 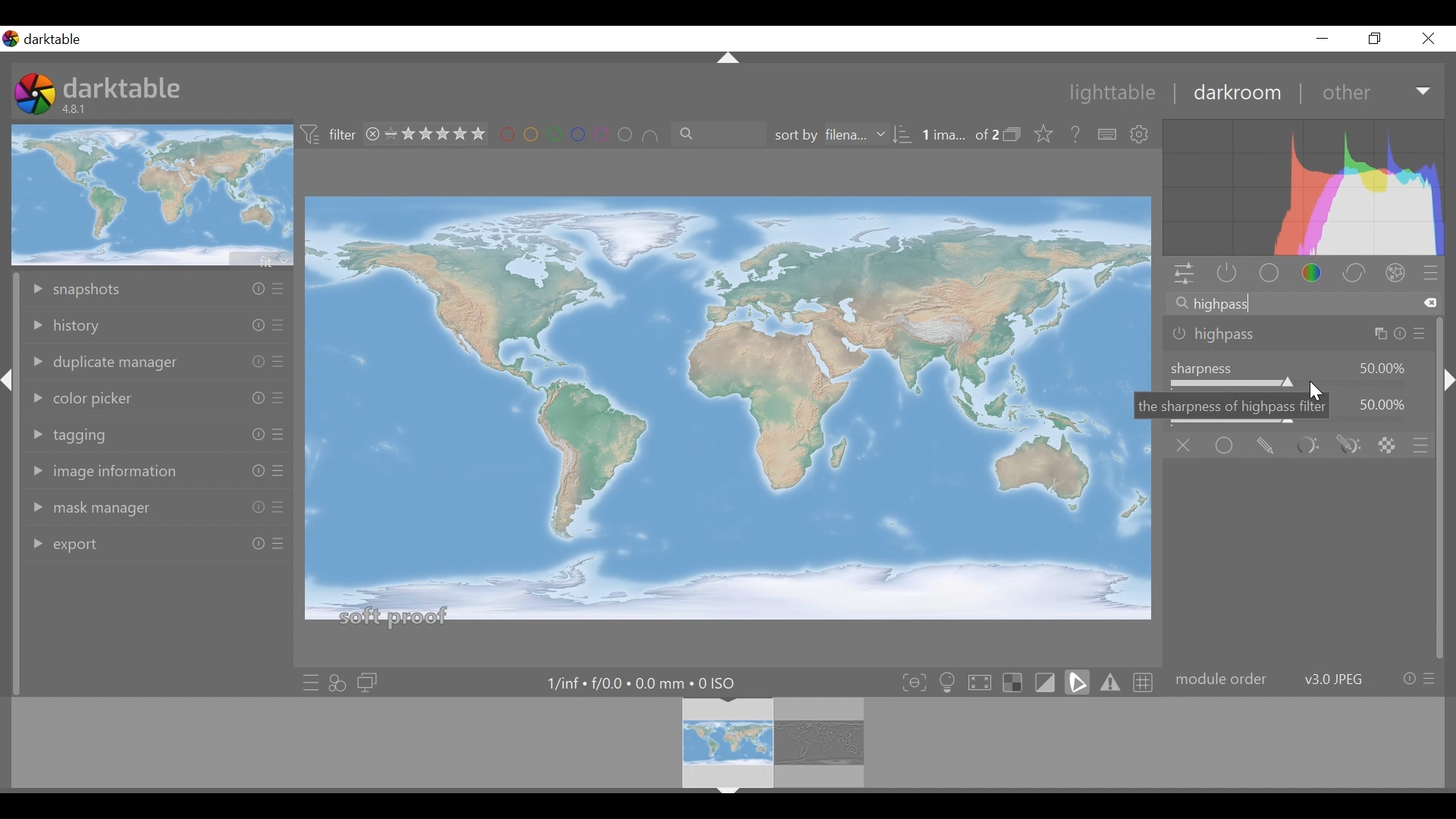 What do you see at coordinates (157, 431) in the screenshot?
I see `tagging` at bounding box center [157, 431].